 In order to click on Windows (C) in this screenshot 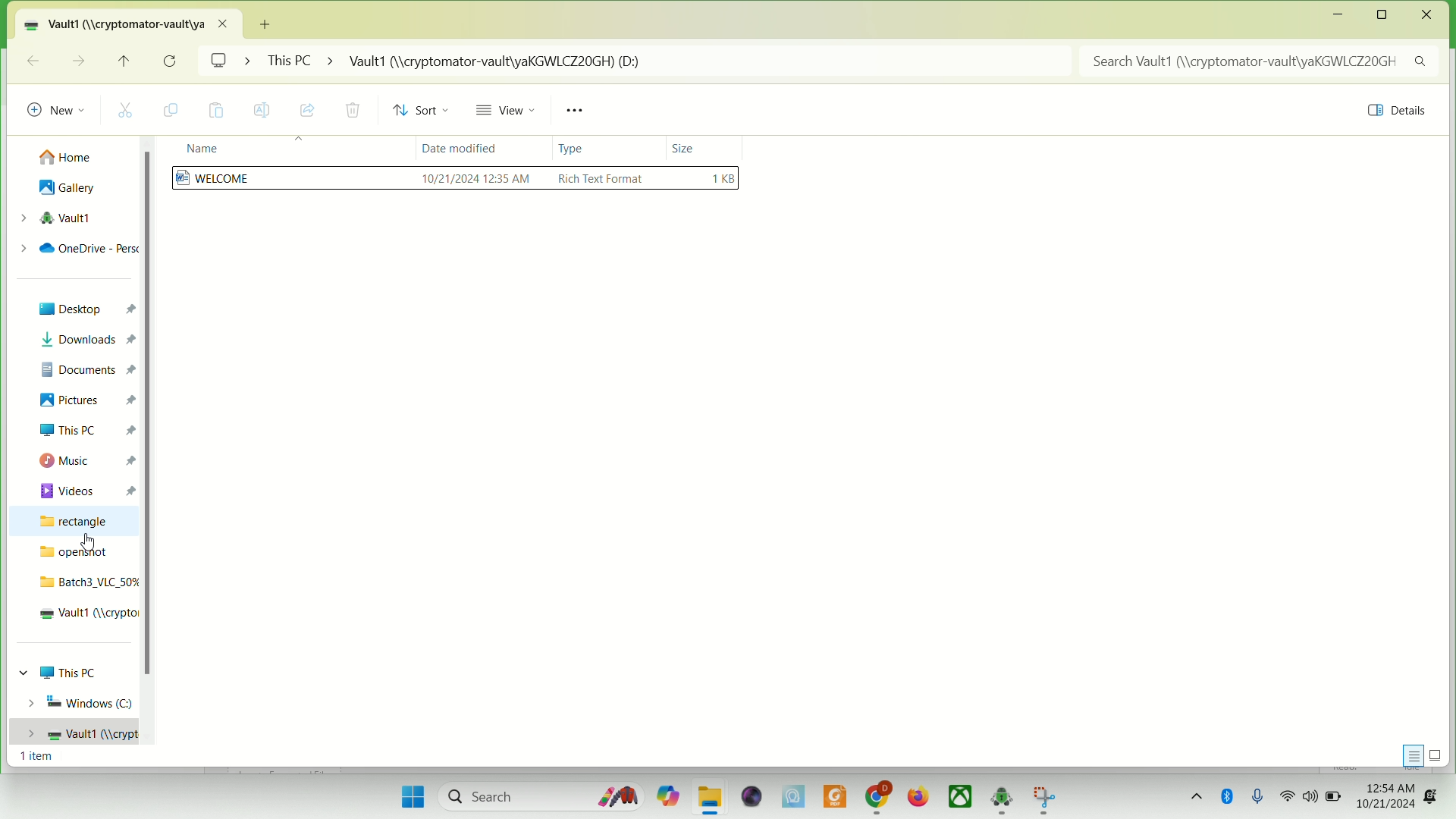, I will do `click(77, 702)`.